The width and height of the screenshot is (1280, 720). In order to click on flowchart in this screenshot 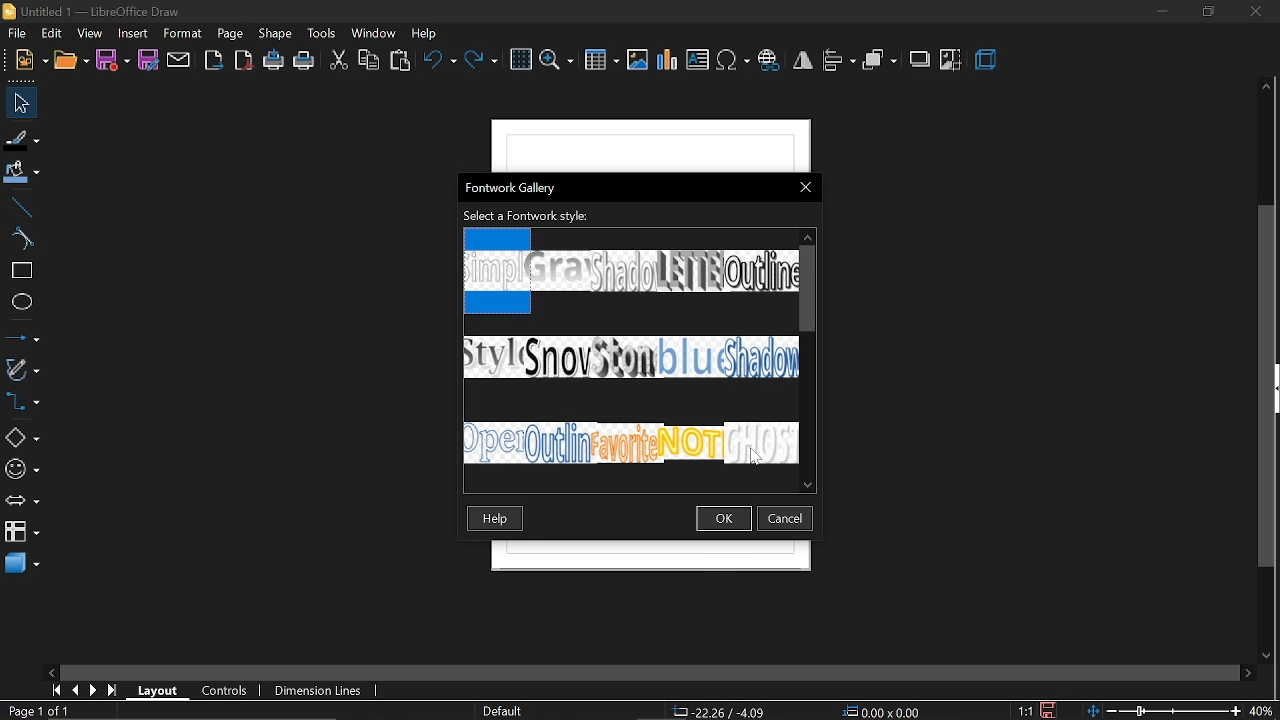, I will do `click(22, 531)`.